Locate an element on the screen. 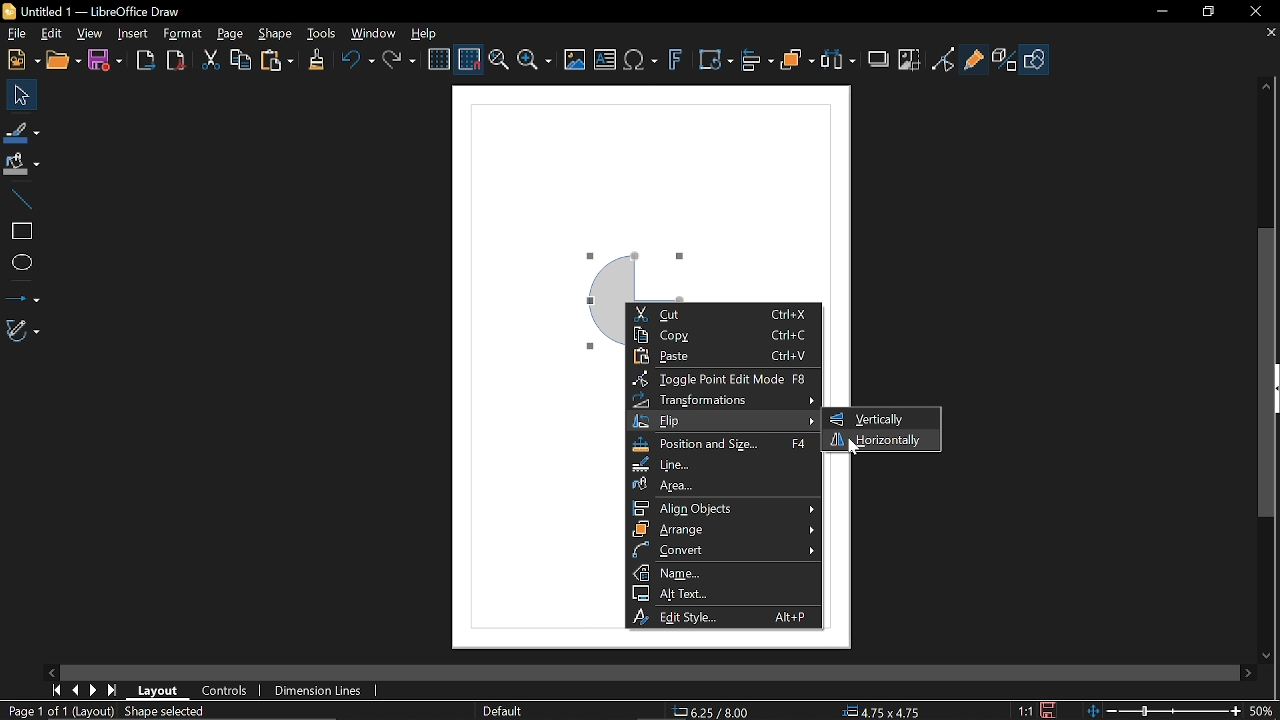 Image resolution: width=1280 pixels, height=720 pixels. Next page is located at coordinates (93, 689).